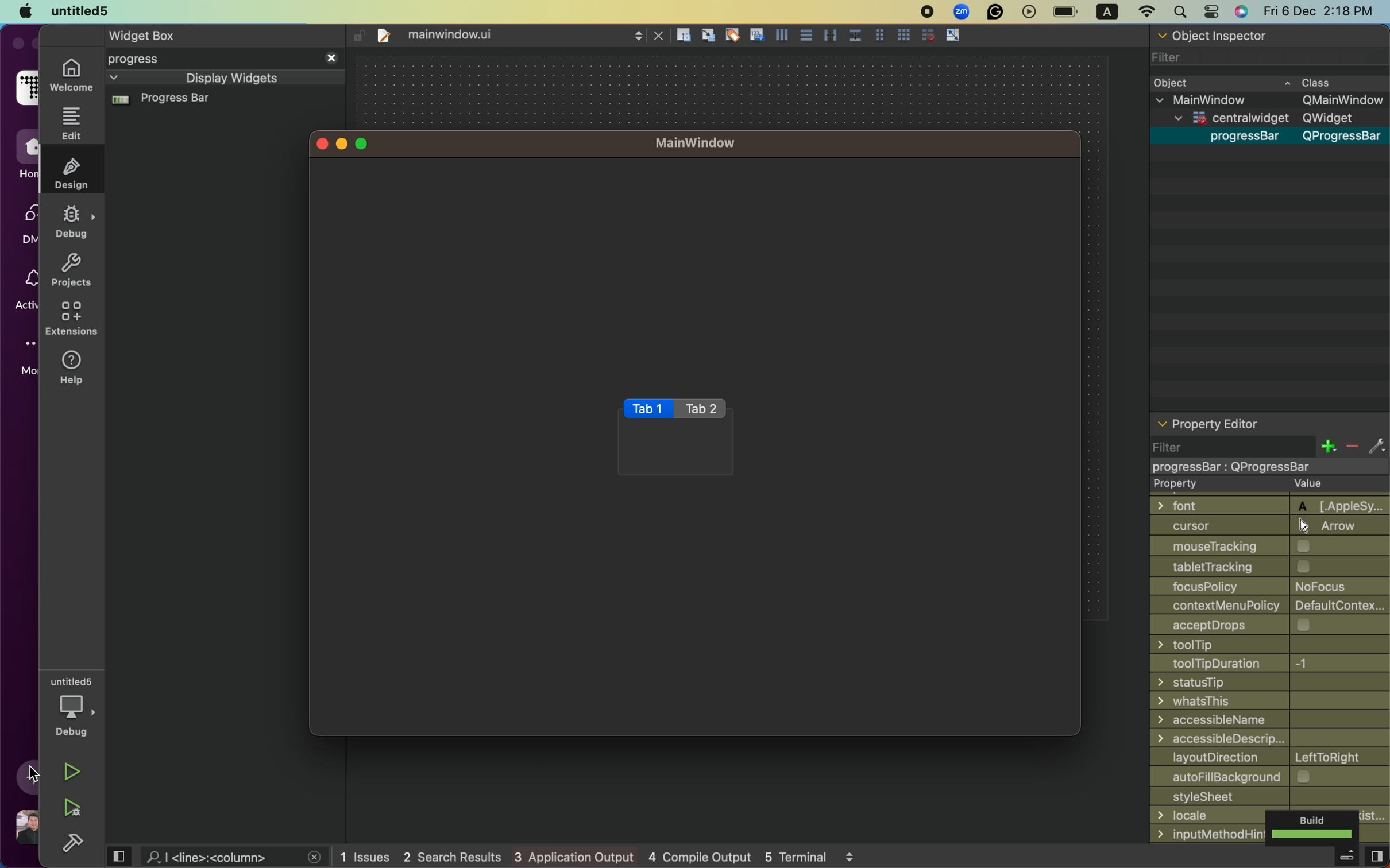 The height and width of the screenshot is (868, 1390). What do you see at coordinates (457, 35) in the screenshot?
I see `mainwindow.ui` at bounding box center [457, 35].